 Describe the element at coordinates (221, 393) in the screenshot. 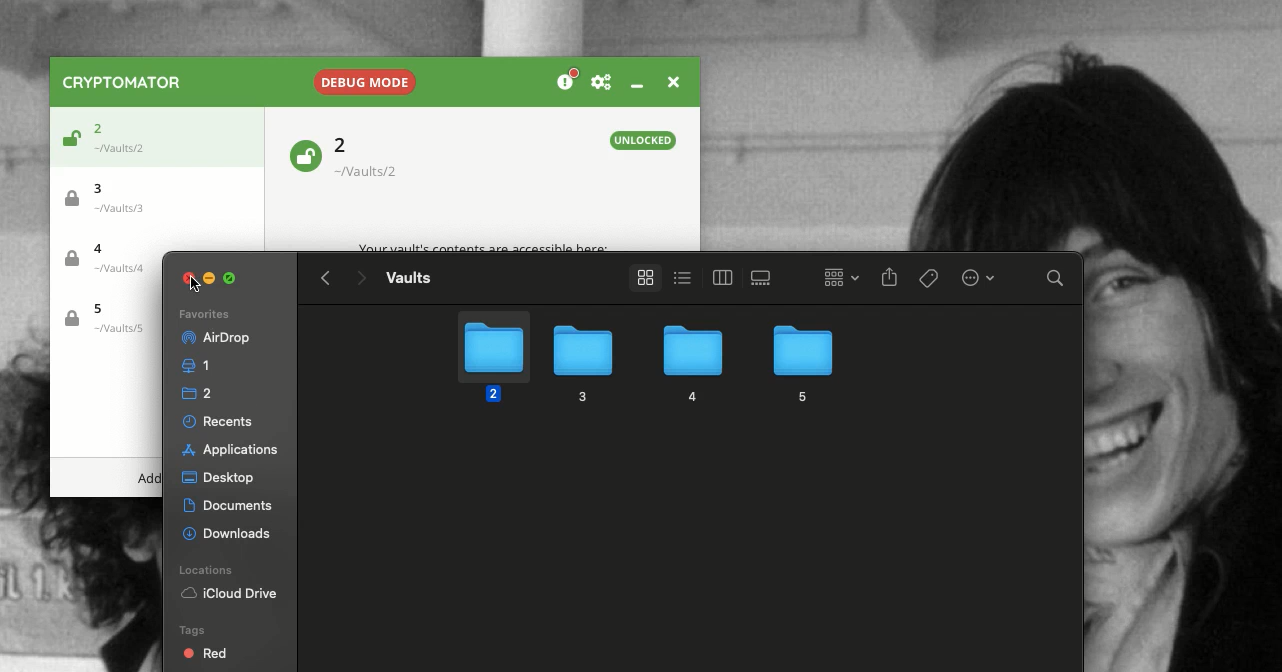

I see `Recents` at that location.